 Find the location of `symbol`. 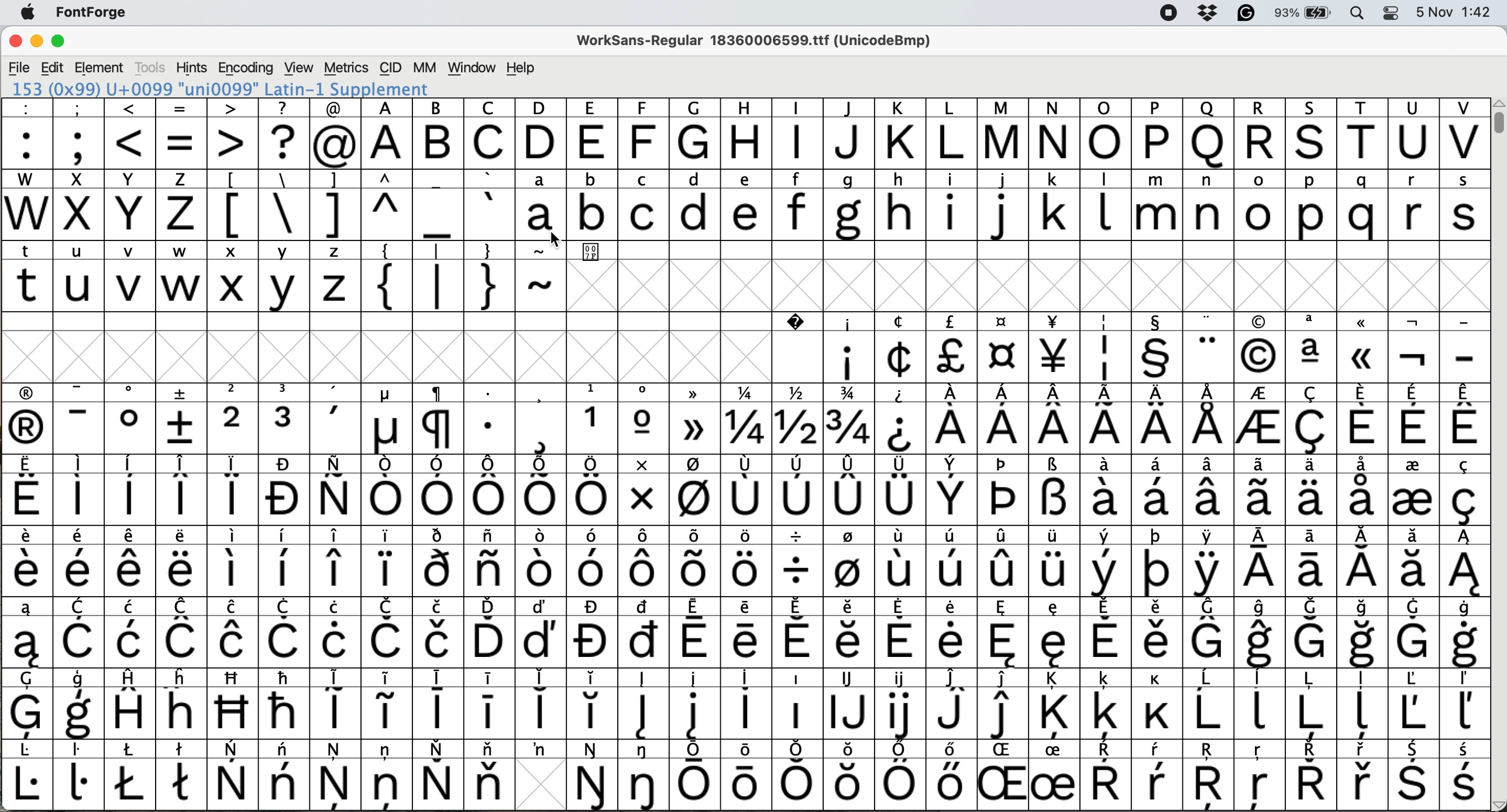

symbol is located at coordinates (489, 632).